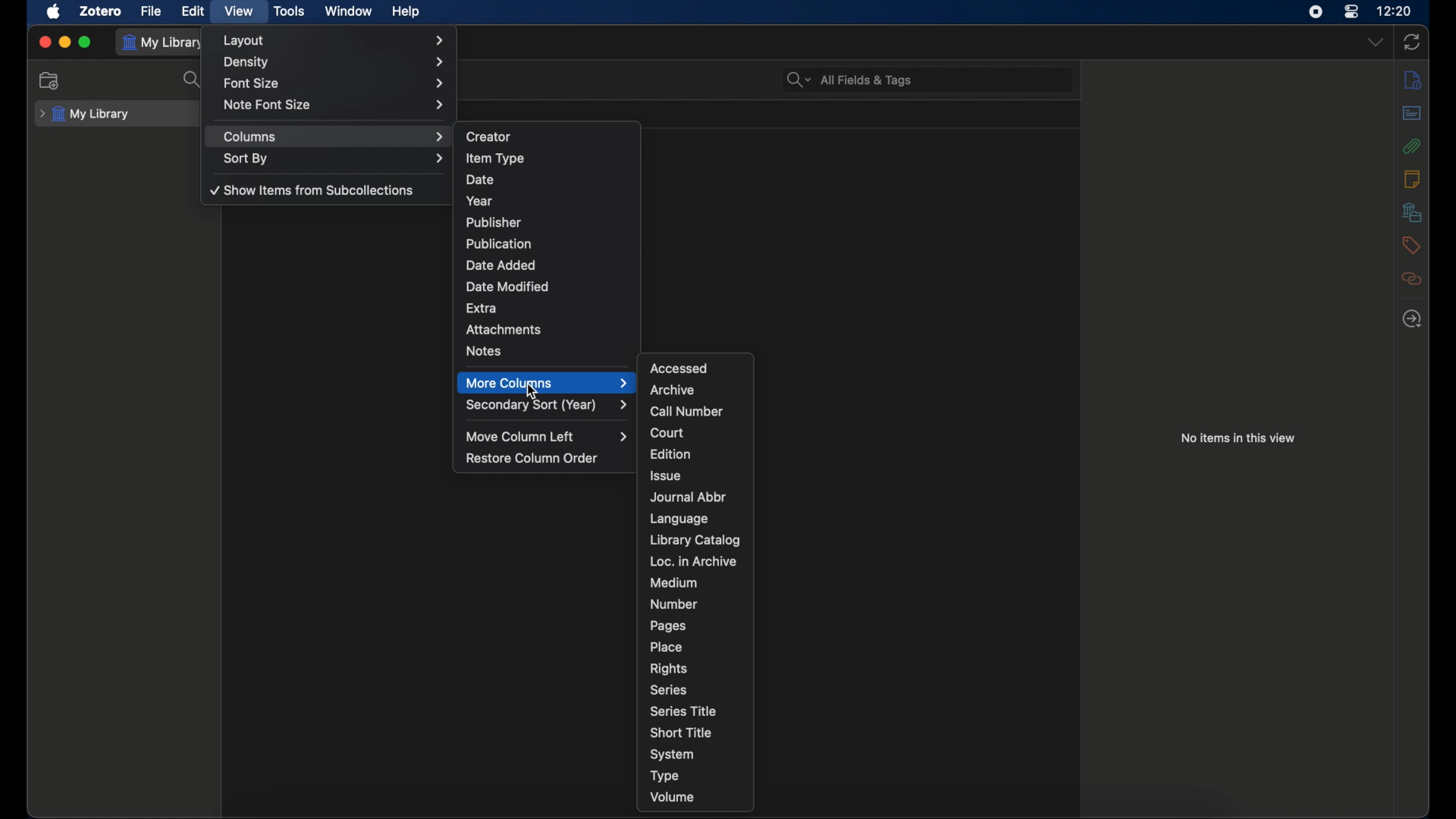 The height and width of the screenshot is (819, 1456). What do you see at coordinates (695, 540) in the screenshot?
I see `library catalog` at bounding box center [695, 540].